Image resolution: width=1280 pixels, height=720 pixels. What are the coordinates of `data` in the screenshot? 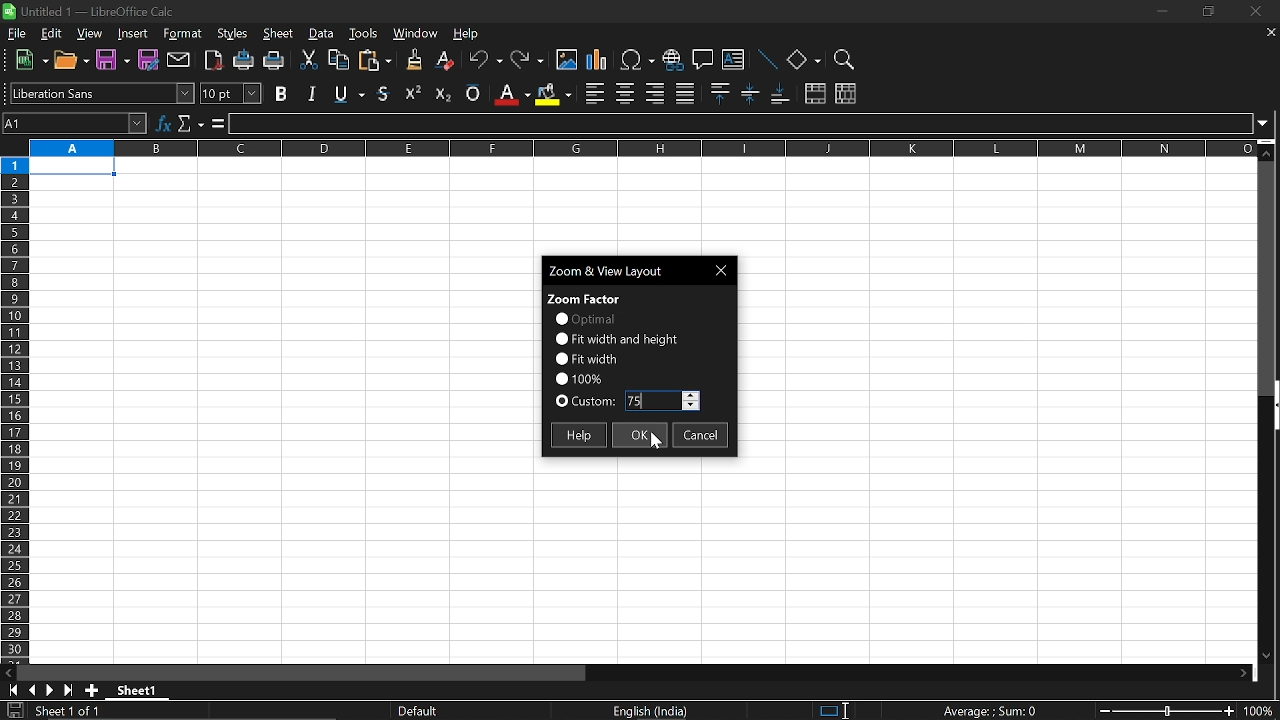 It's located at (322, 34).